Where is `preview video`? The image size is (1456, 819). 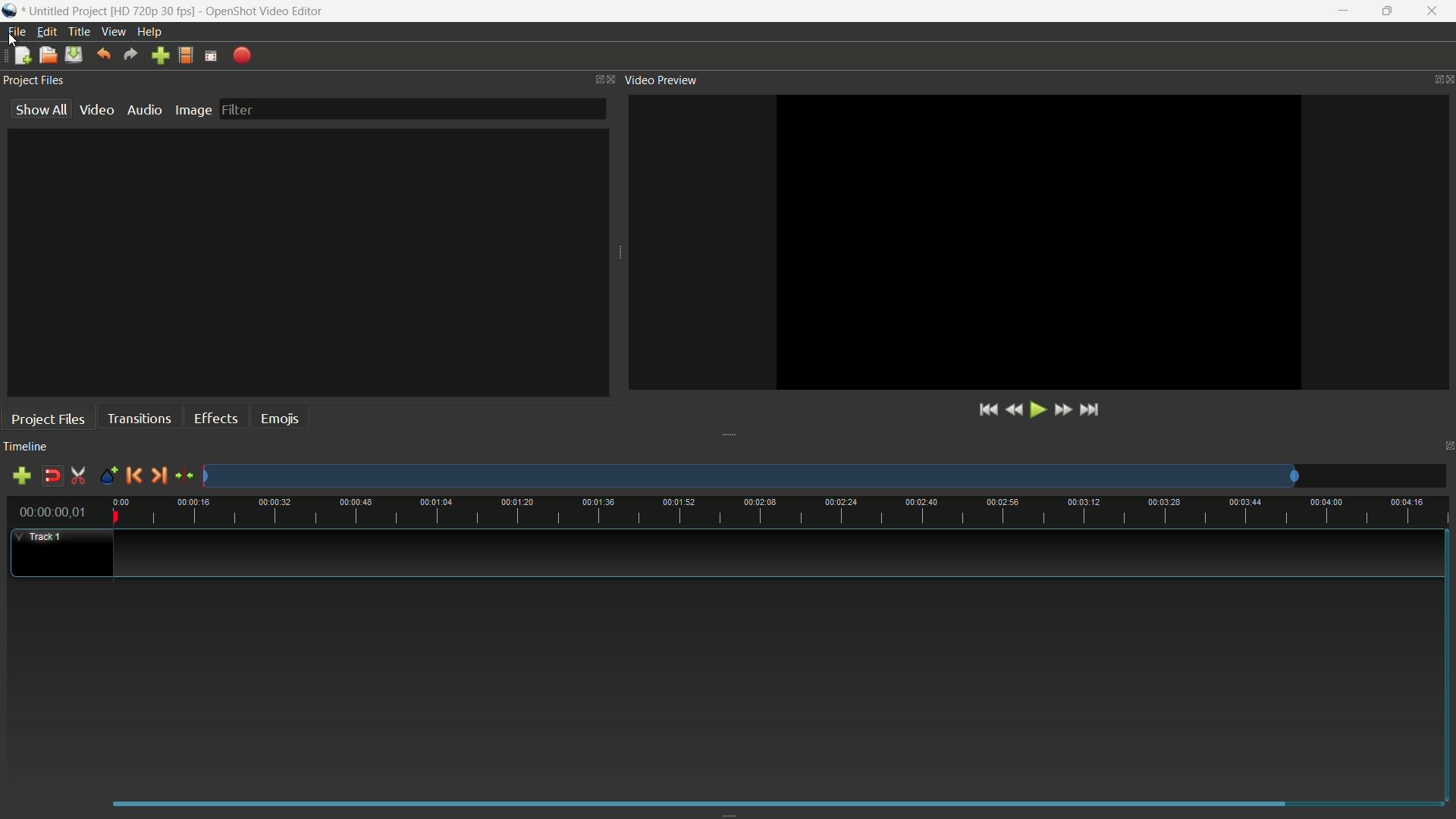 preview video is located at coordinates (1040, 241).